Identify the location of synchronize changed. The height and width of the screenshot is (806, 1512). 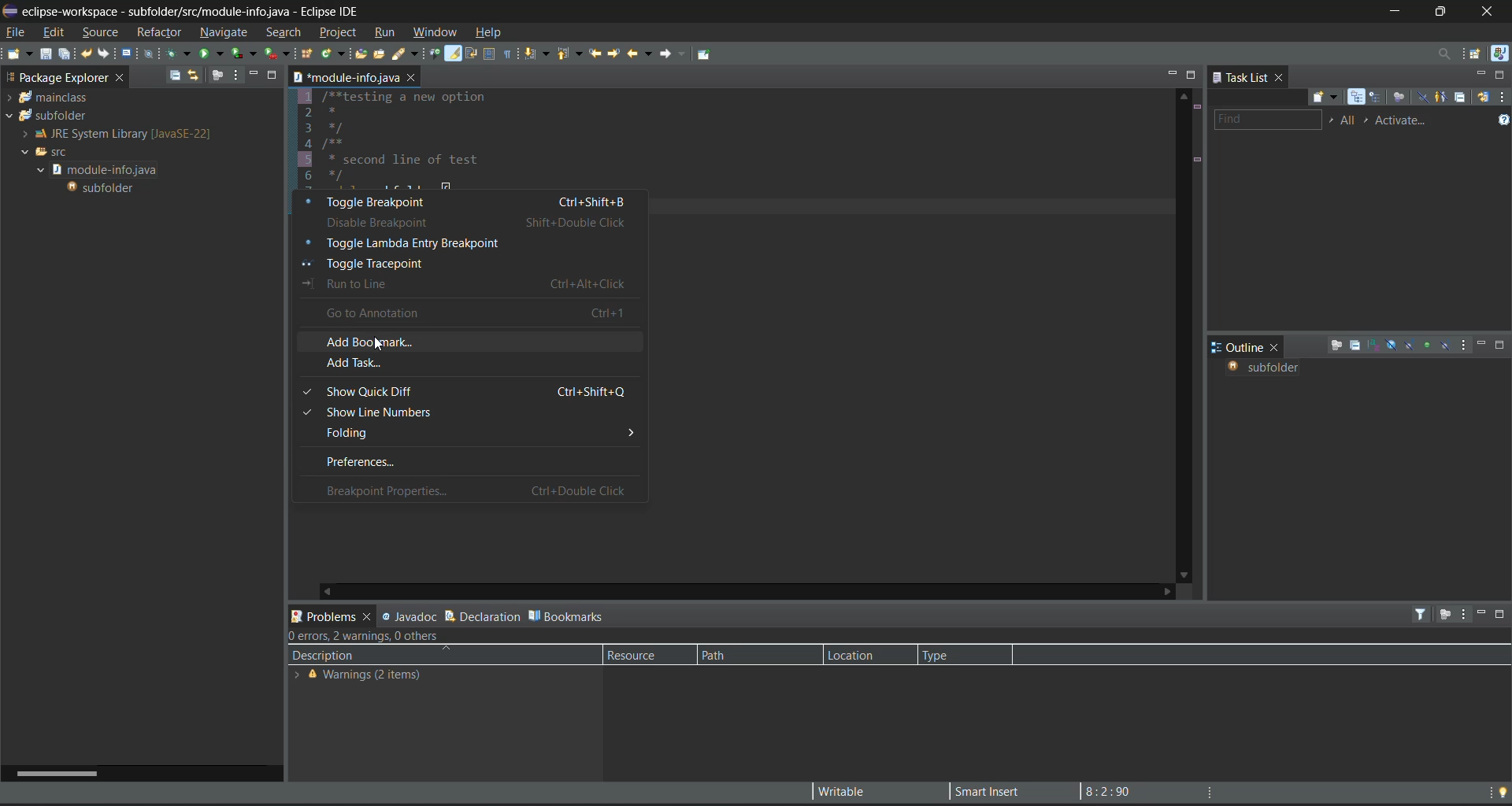
(1482, 96).